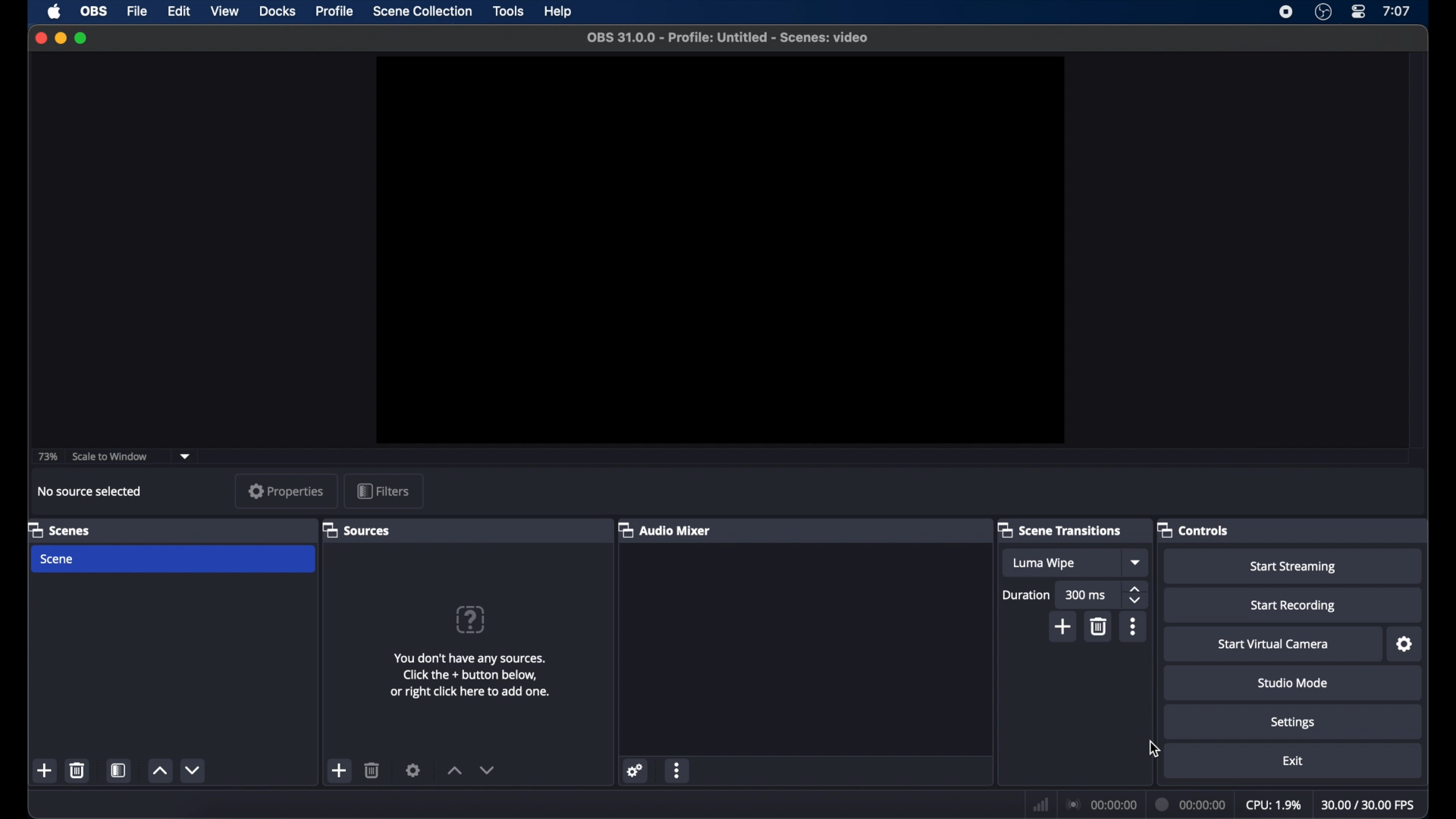 The height and width of the screenshot is (819, 1456). What do you see at coordinates (1285, 12) in the screenshot?
I see `screen recorder` at bounding box center [1285, 12].